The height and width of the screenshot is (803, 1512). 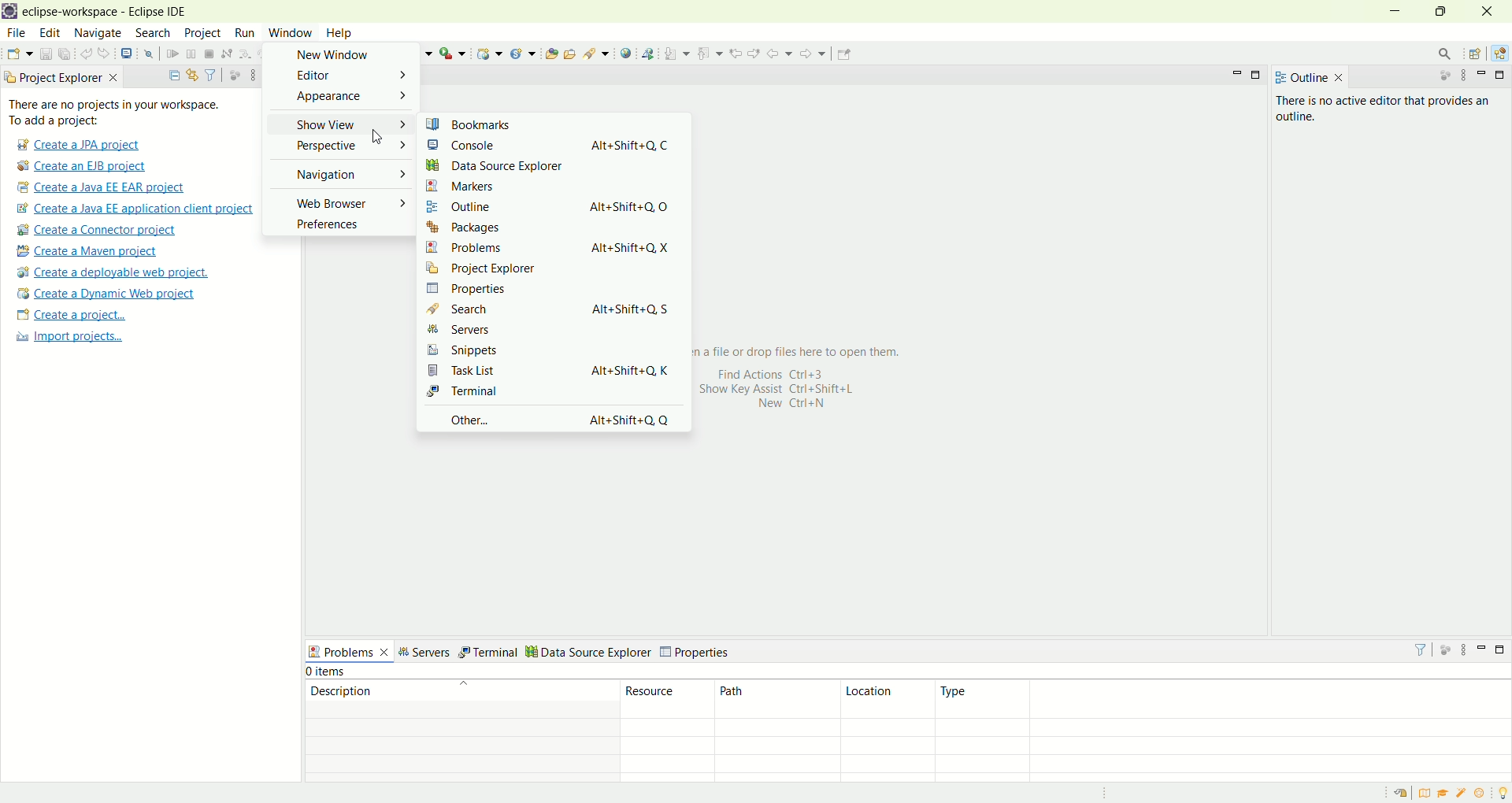 What do you see at coordinates (1389, 106) in the screenshot?
I see `there is no active editor that provides an outline` at bounding box center [1389, 106].